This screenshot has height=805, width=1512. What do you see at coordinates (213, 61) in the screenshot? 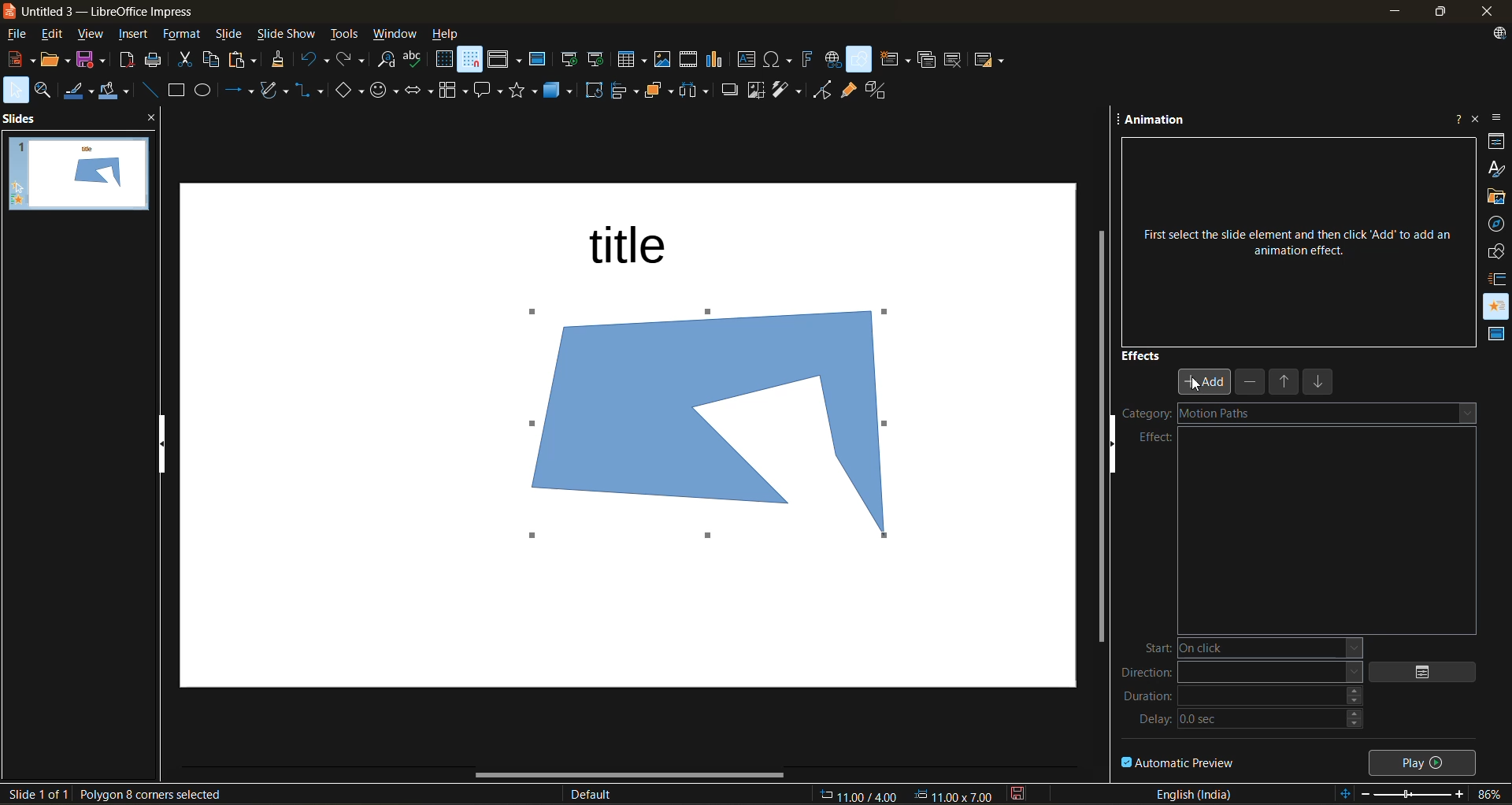
I see `copy` at bounding box center [213, 61].